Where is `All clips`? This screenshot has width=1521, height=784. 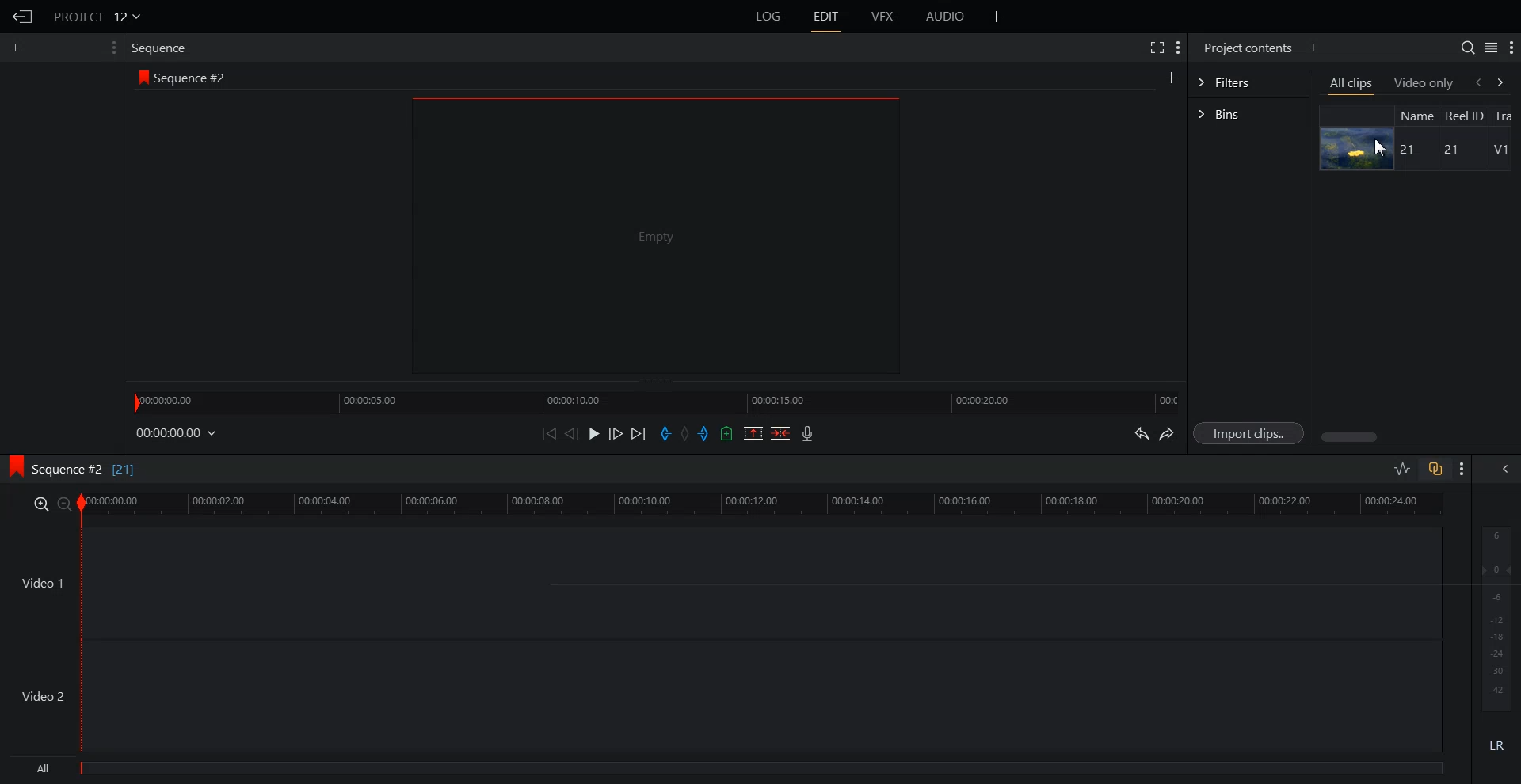 All clips is located at coordinates (1352, 84).